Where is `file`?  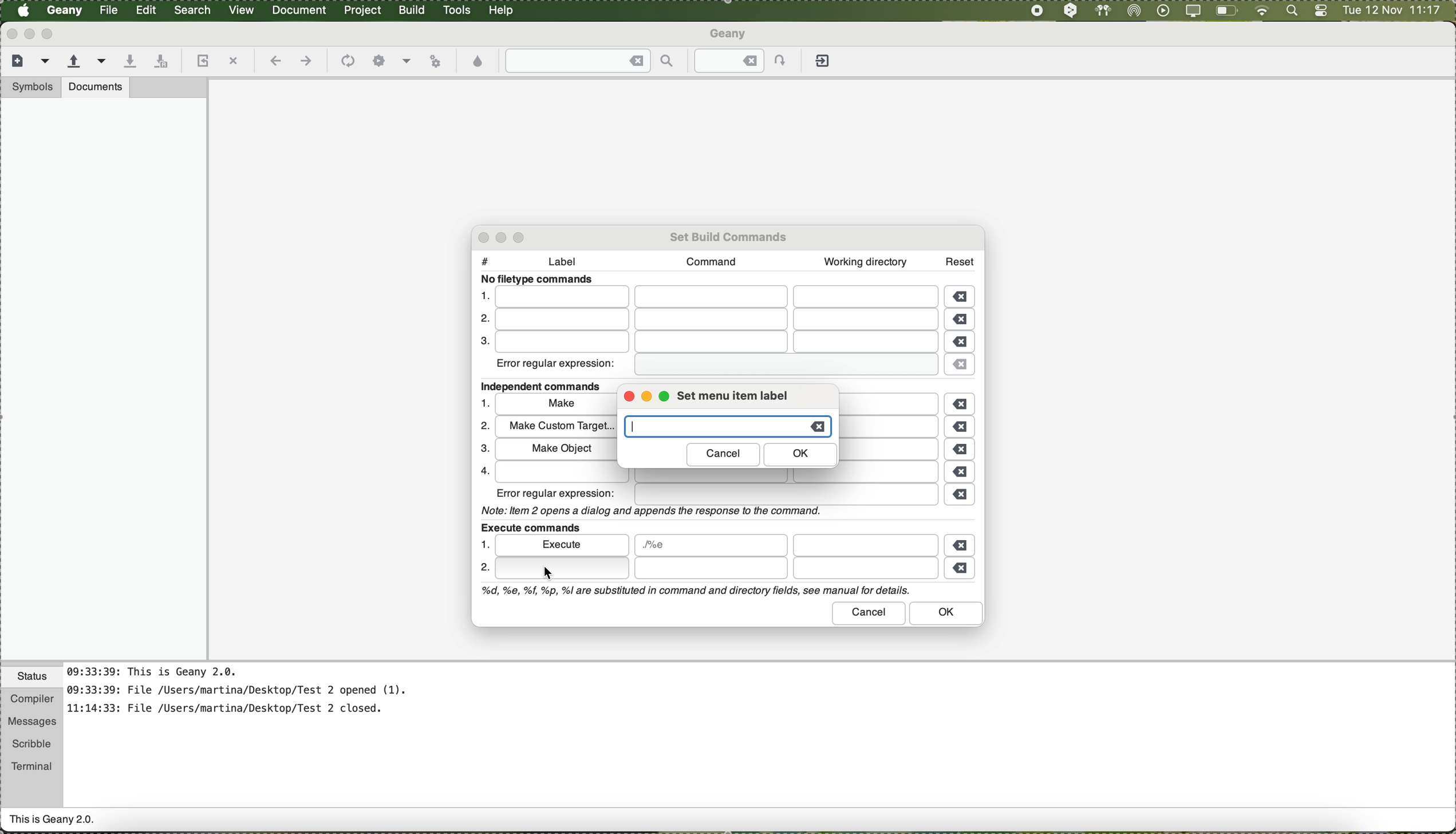 file is located at coordinates (784, 569).